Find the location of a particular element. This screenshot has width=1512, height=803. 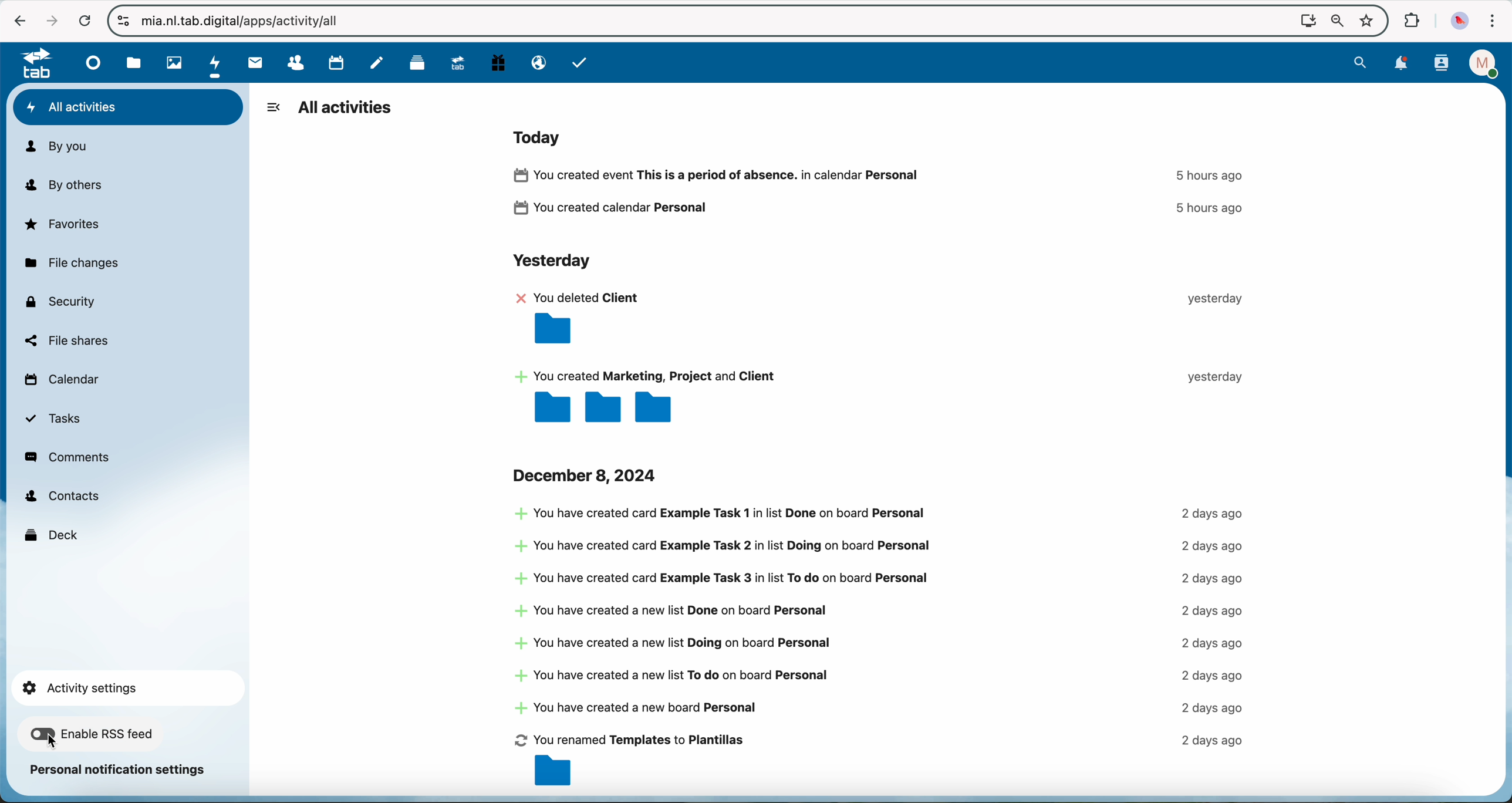

personal notification settings is located at coordinates (119, 770).